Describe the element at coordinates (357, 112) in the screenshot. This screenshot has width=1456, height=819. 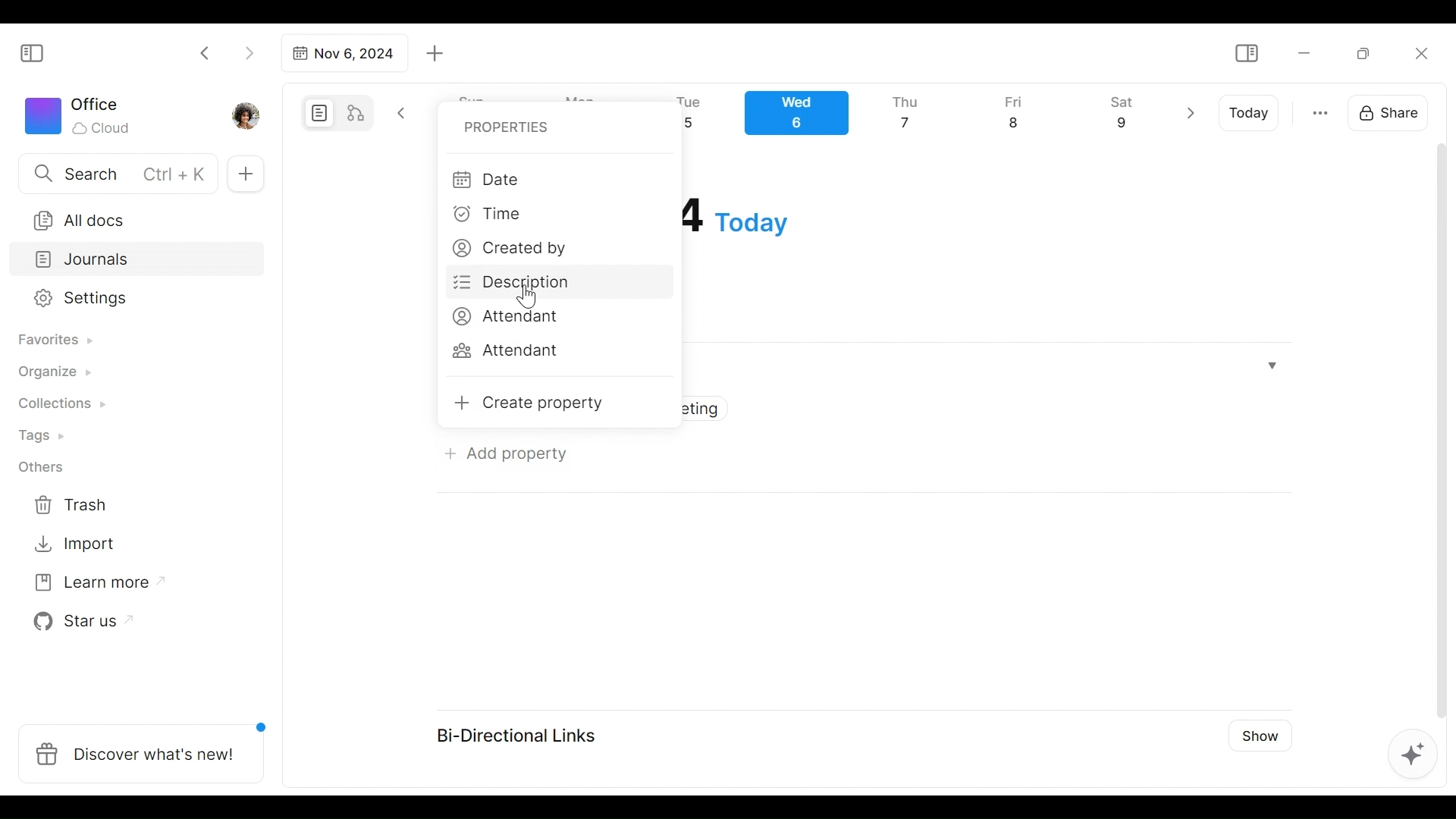
I see `Edgeless mode` at that location.